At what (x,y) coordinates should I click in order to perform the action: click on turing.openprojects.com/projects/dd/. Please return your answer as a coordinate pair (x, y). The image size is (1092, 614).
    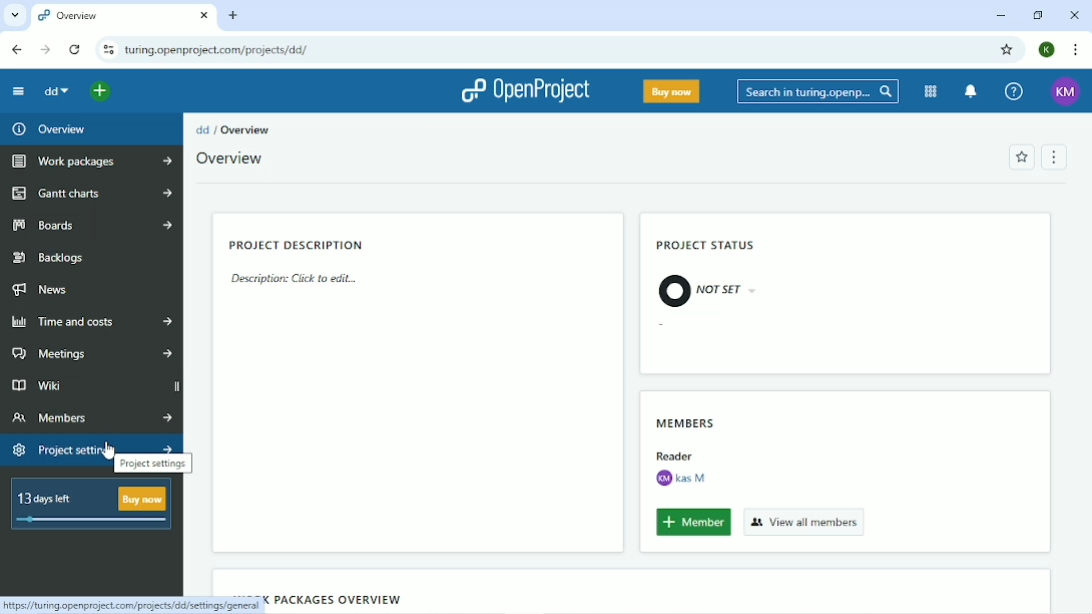
    Looking at the image, I should click on (223, 48).